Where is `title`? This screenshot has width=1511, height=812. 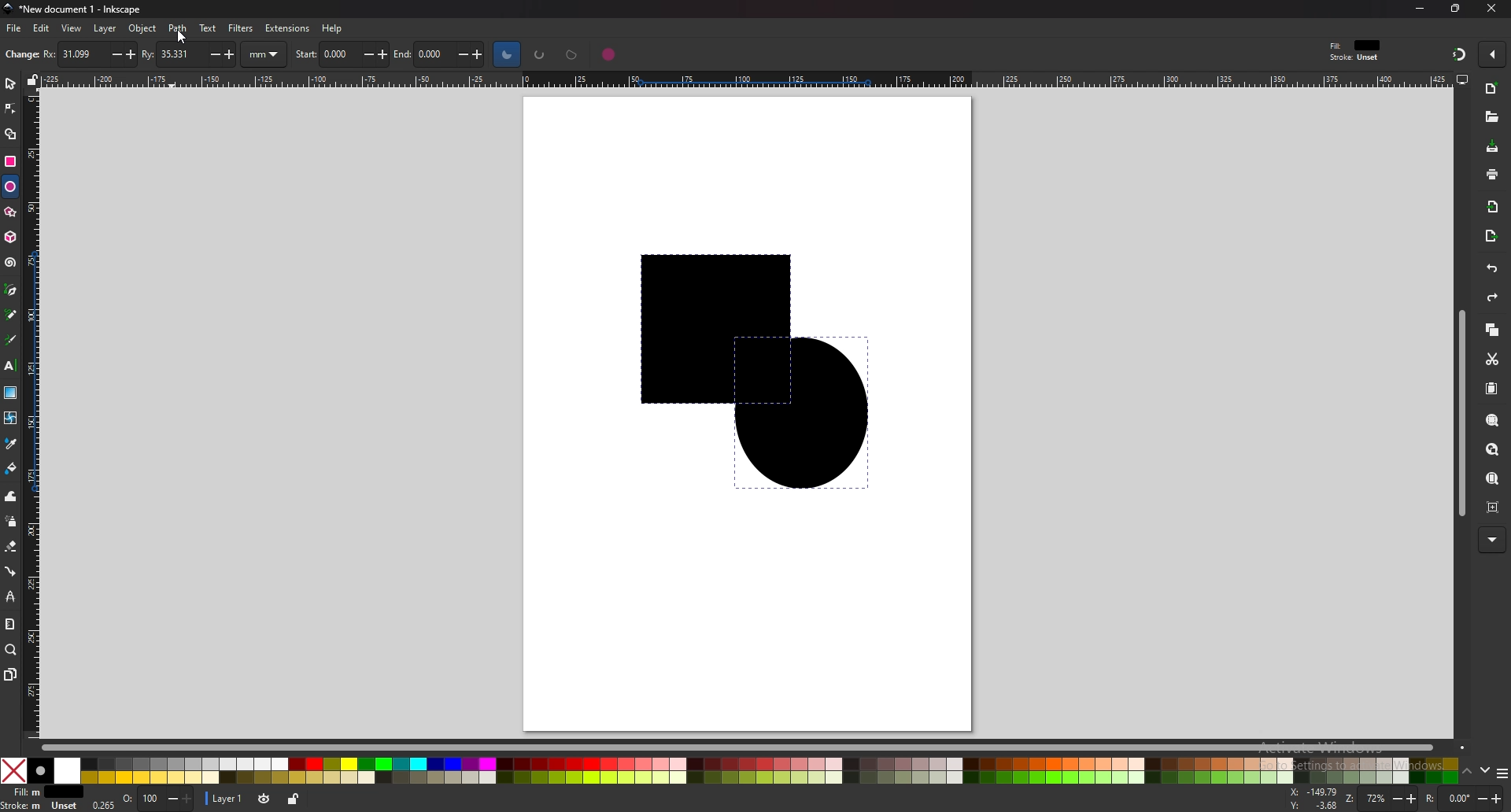 title is located at coordinates (71, 9).